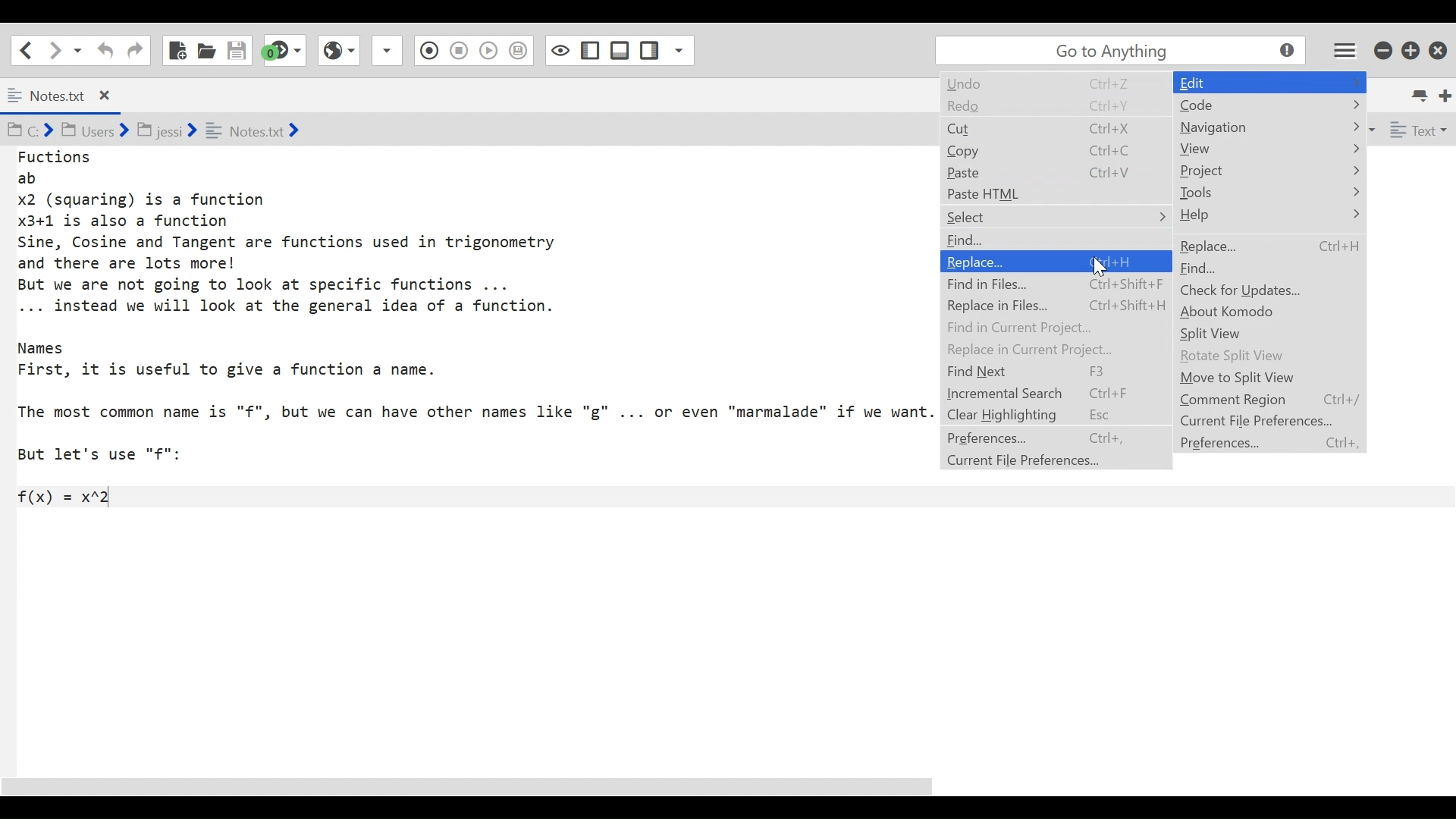 The height and width of the screenshot is (819, 1456). I want to click on Undo, so click(103, 50).